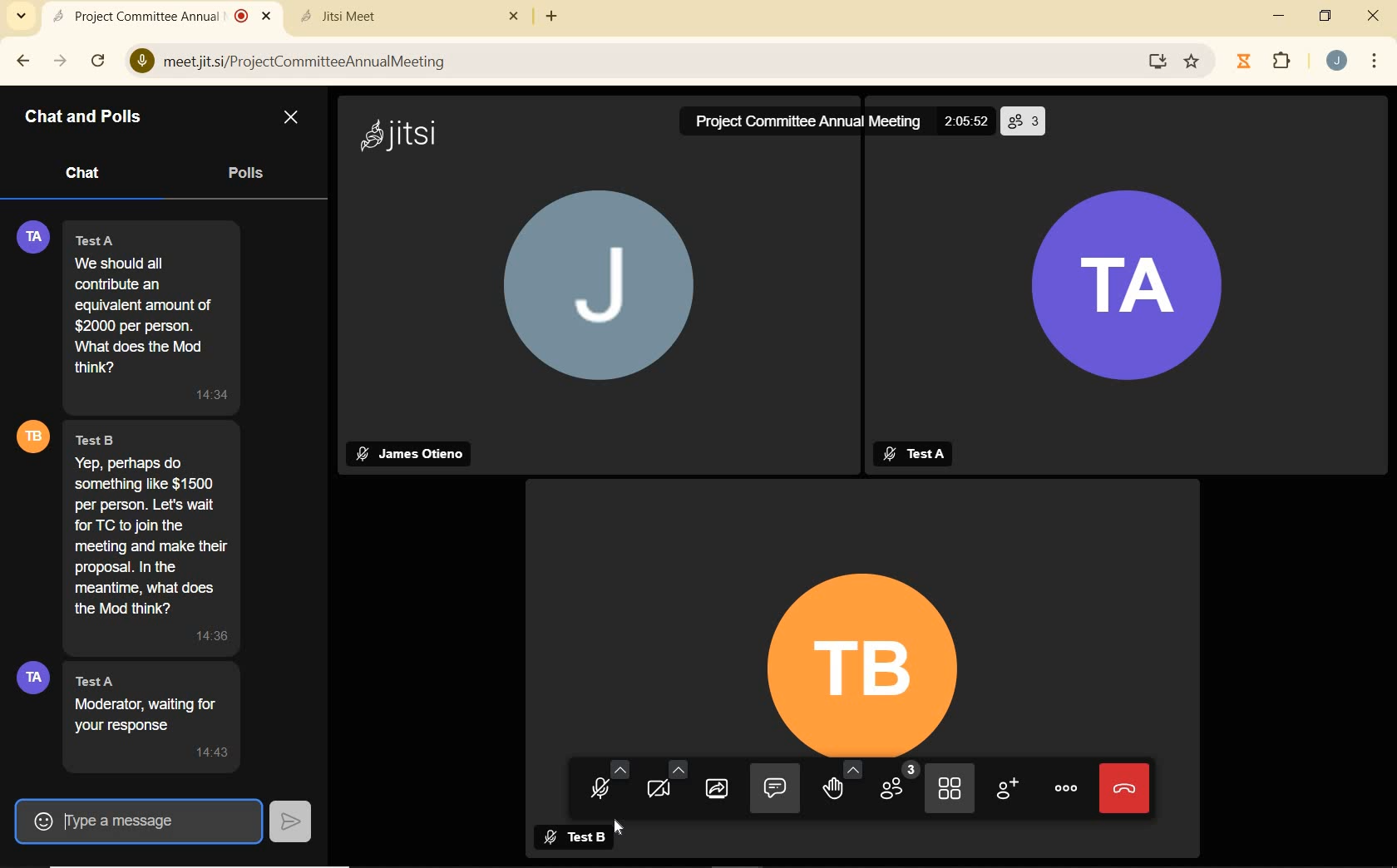  Describe the element at coordinates (1136, 285) in the screenshot. I see `TA` at that location.